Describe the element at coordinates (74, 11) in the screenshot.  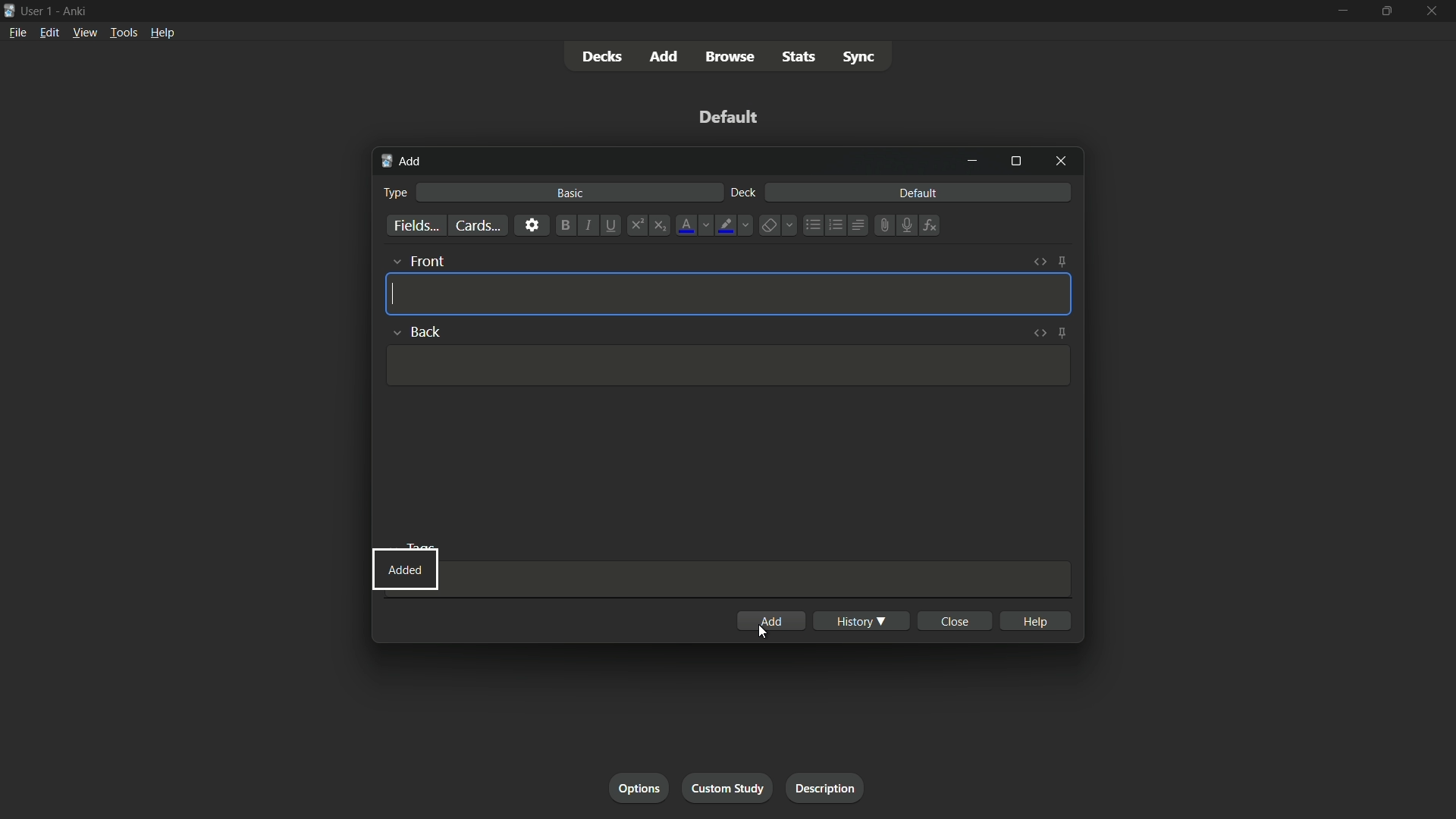
I see `app name` at that location.